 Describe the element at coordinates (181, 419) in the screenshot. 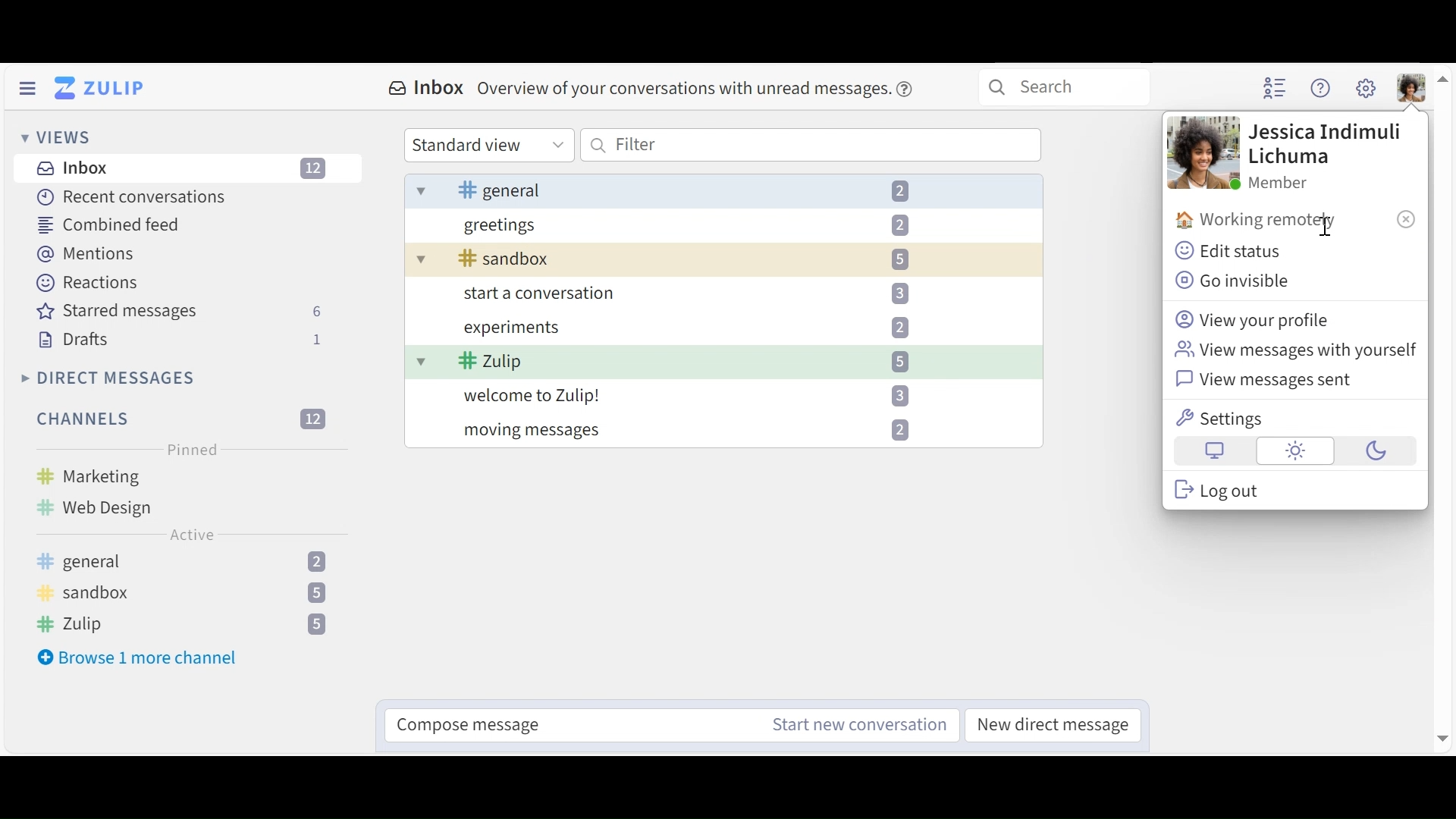

I see `Channels` at that location.